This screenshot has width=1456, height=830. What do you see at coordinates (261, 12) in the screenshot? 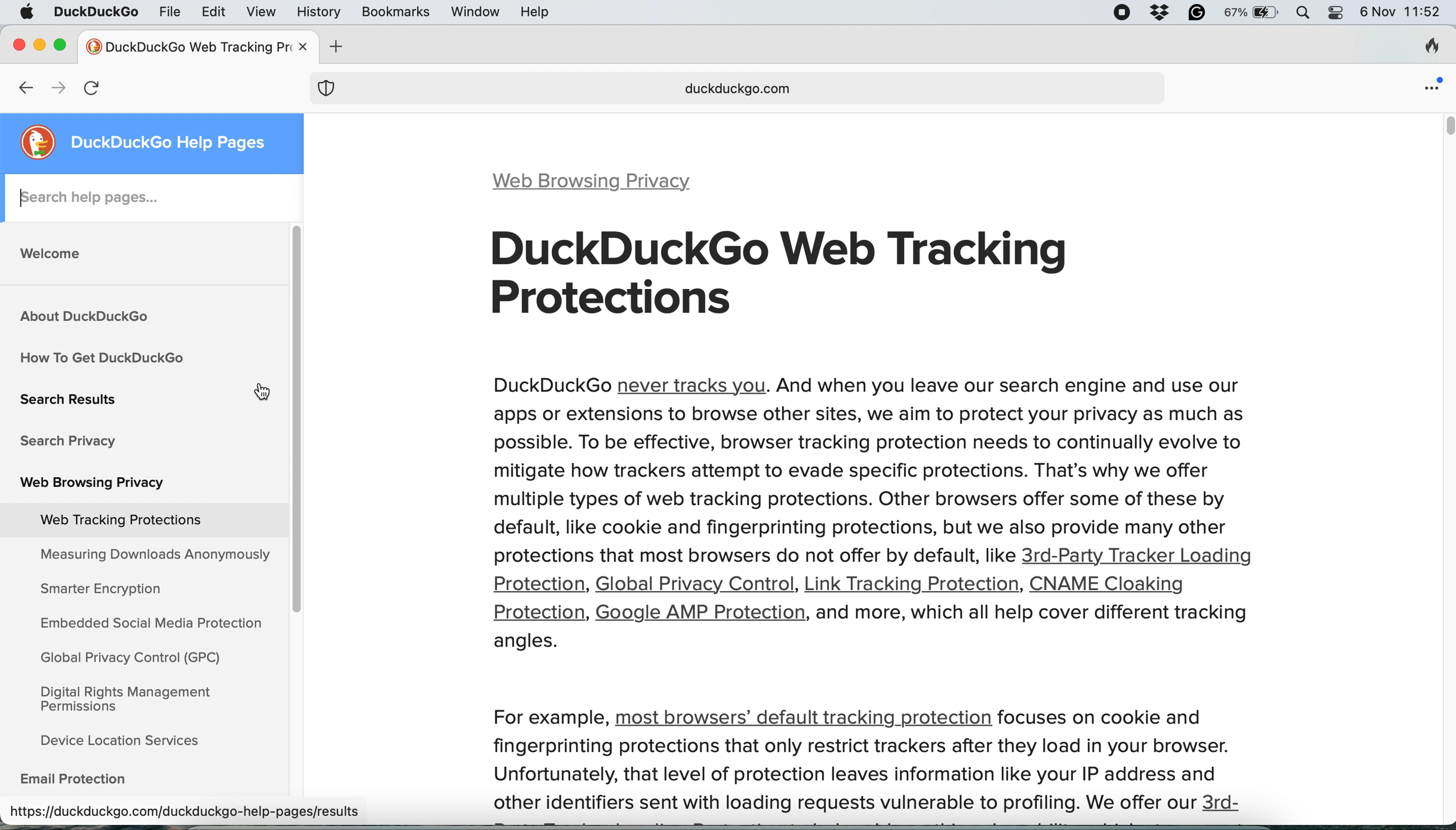
I see `view` at bounding box center [261, 12].